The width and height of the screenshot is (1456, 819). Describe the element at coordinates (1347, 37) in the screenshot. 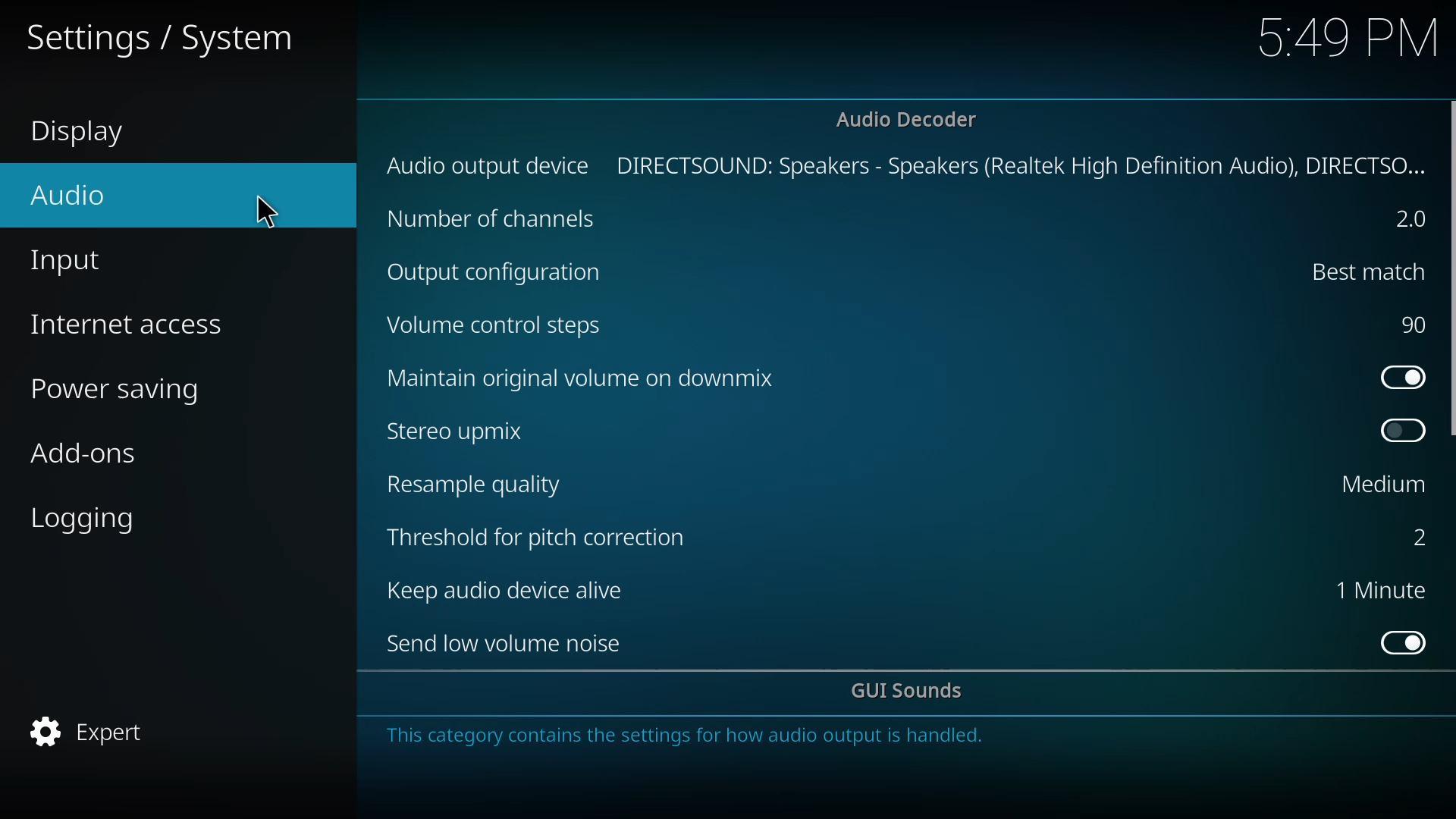

I see `time` at that location.